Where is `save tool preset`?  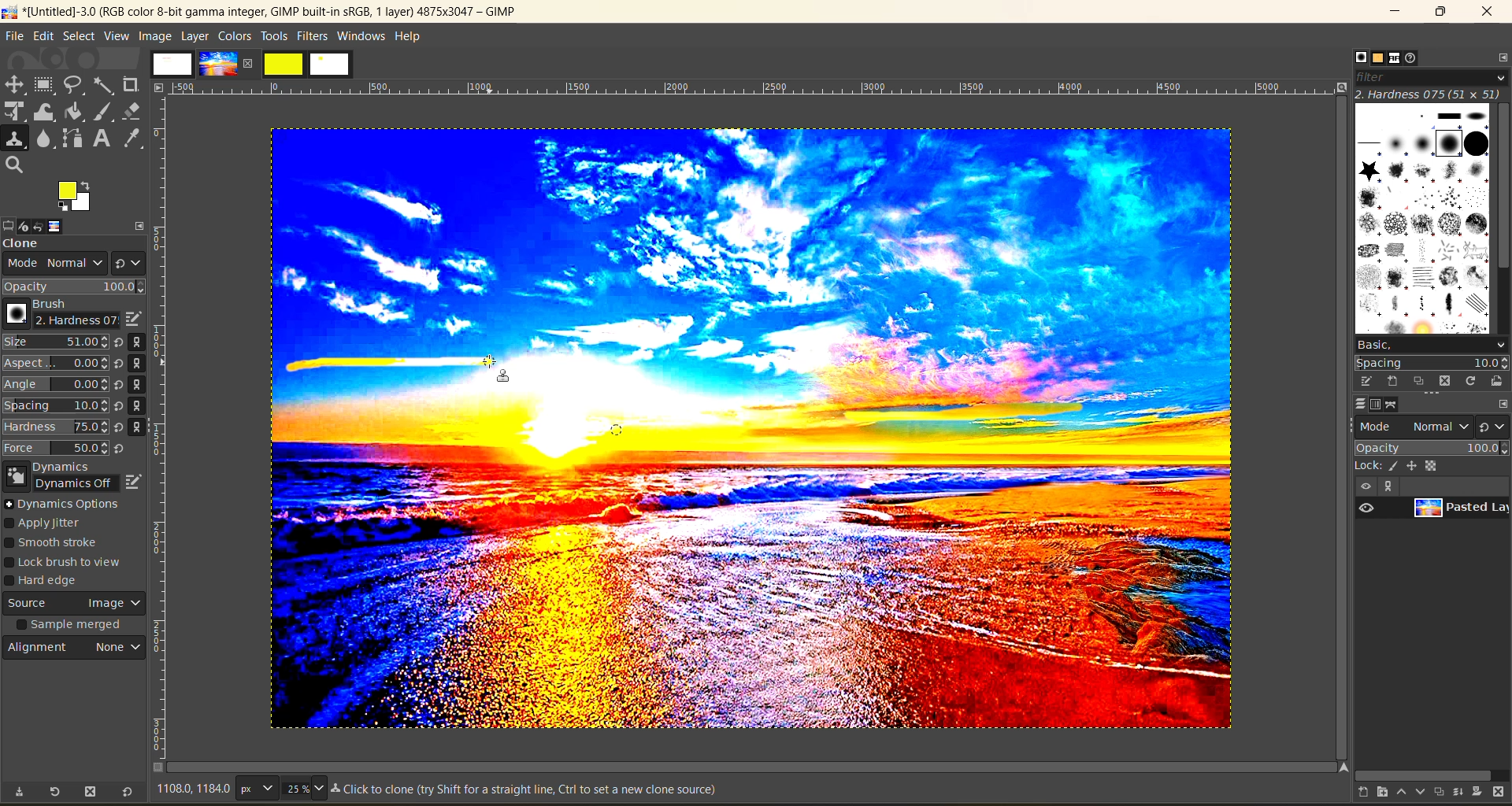 save tool preset is located at coordinates (18, 792).